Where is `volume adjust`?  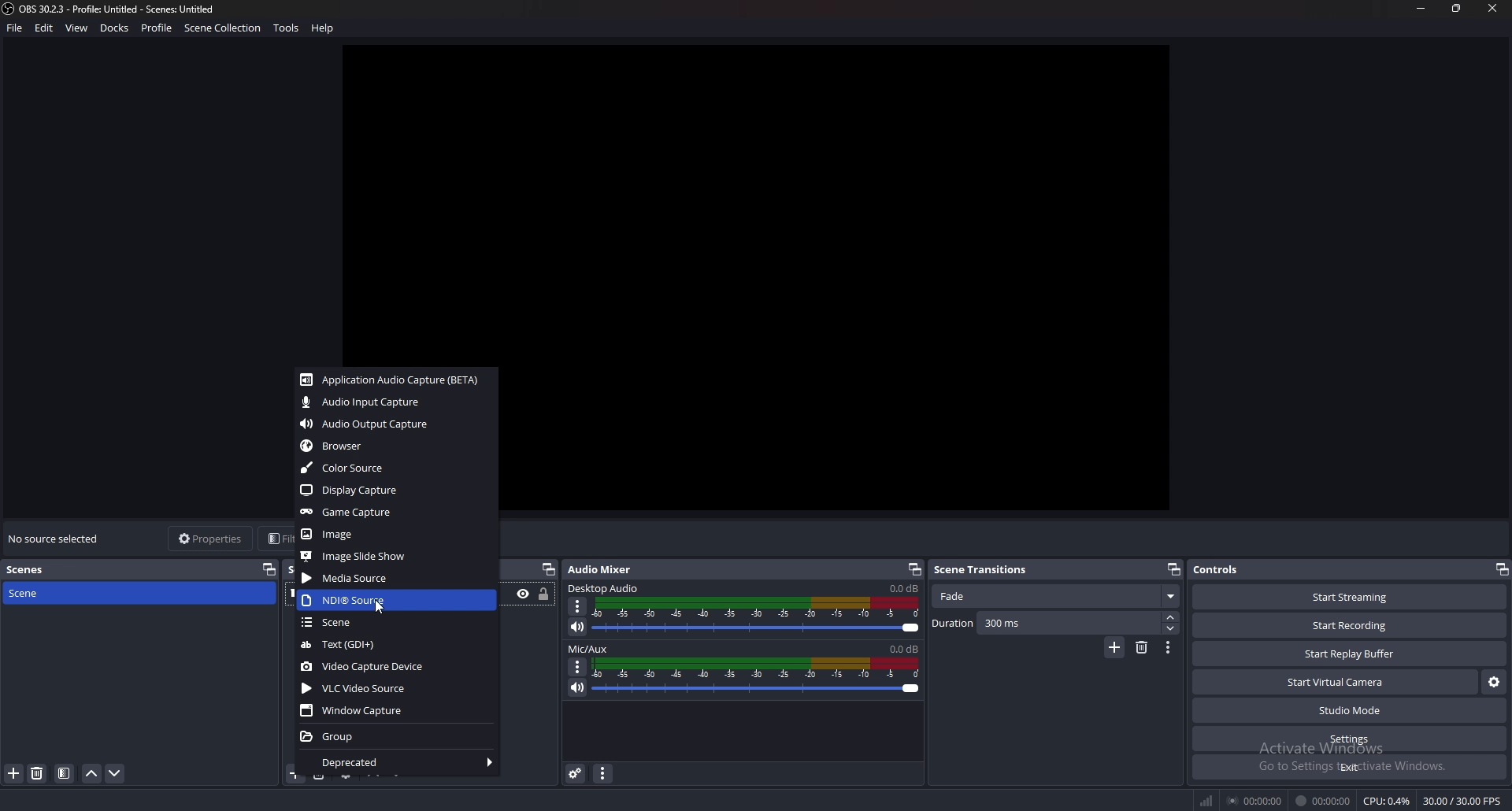
volume adjust is located at coordinates (757, 615).